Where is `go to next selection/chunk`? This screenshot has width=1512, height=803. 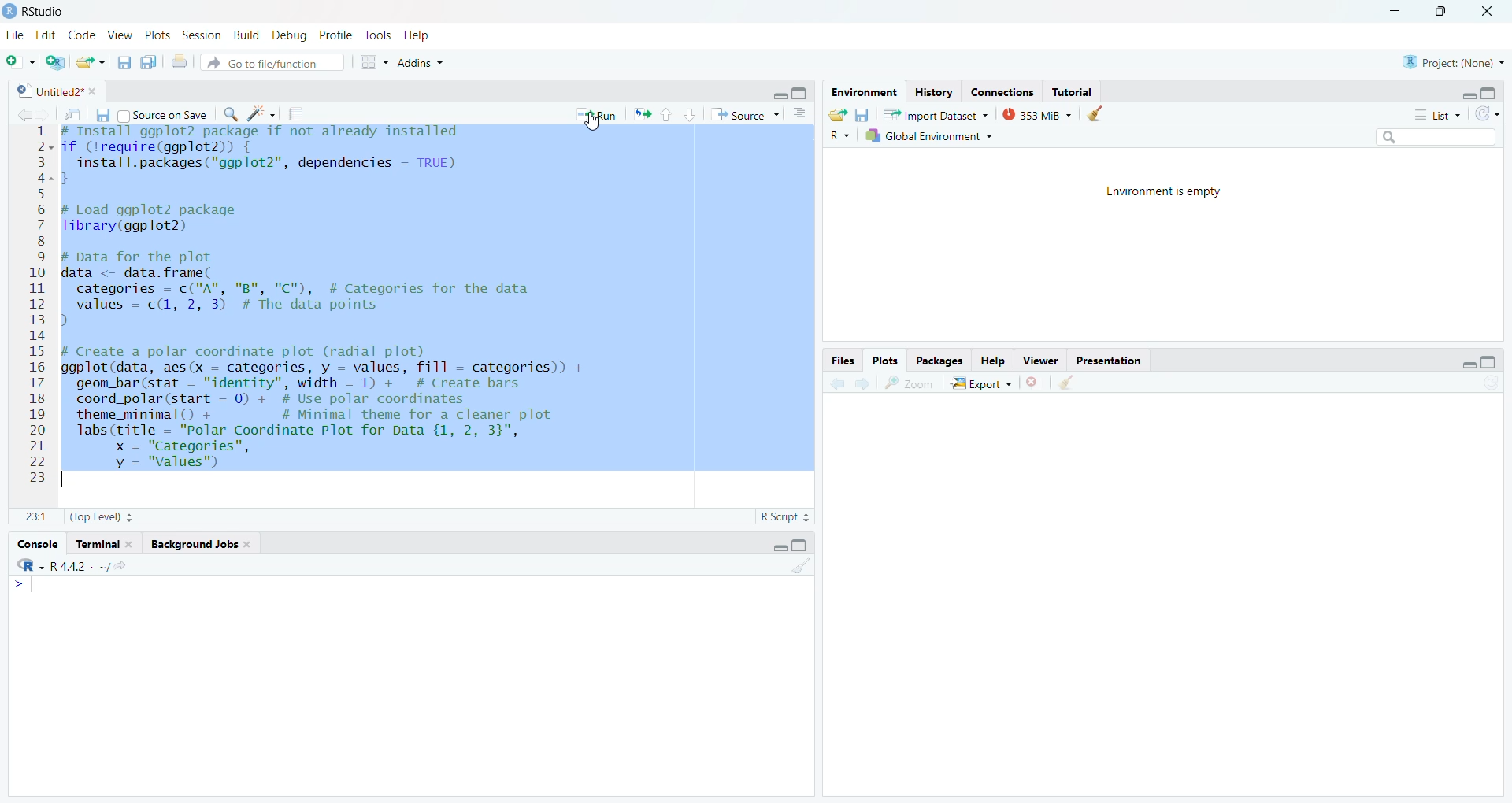
go to next selection/chunk is located at coordinates (688, 115).